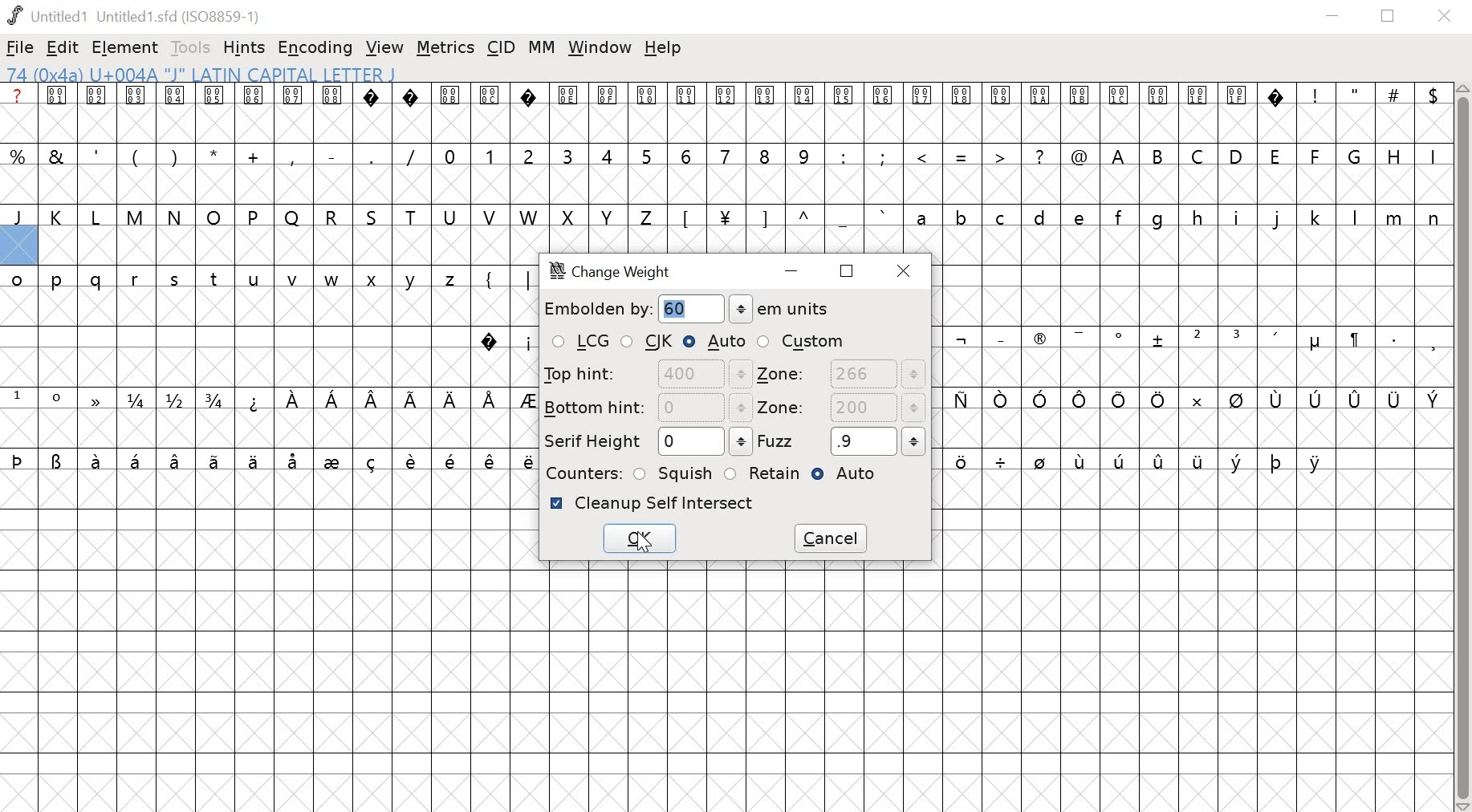  I want to click on window, so click(600, 48).